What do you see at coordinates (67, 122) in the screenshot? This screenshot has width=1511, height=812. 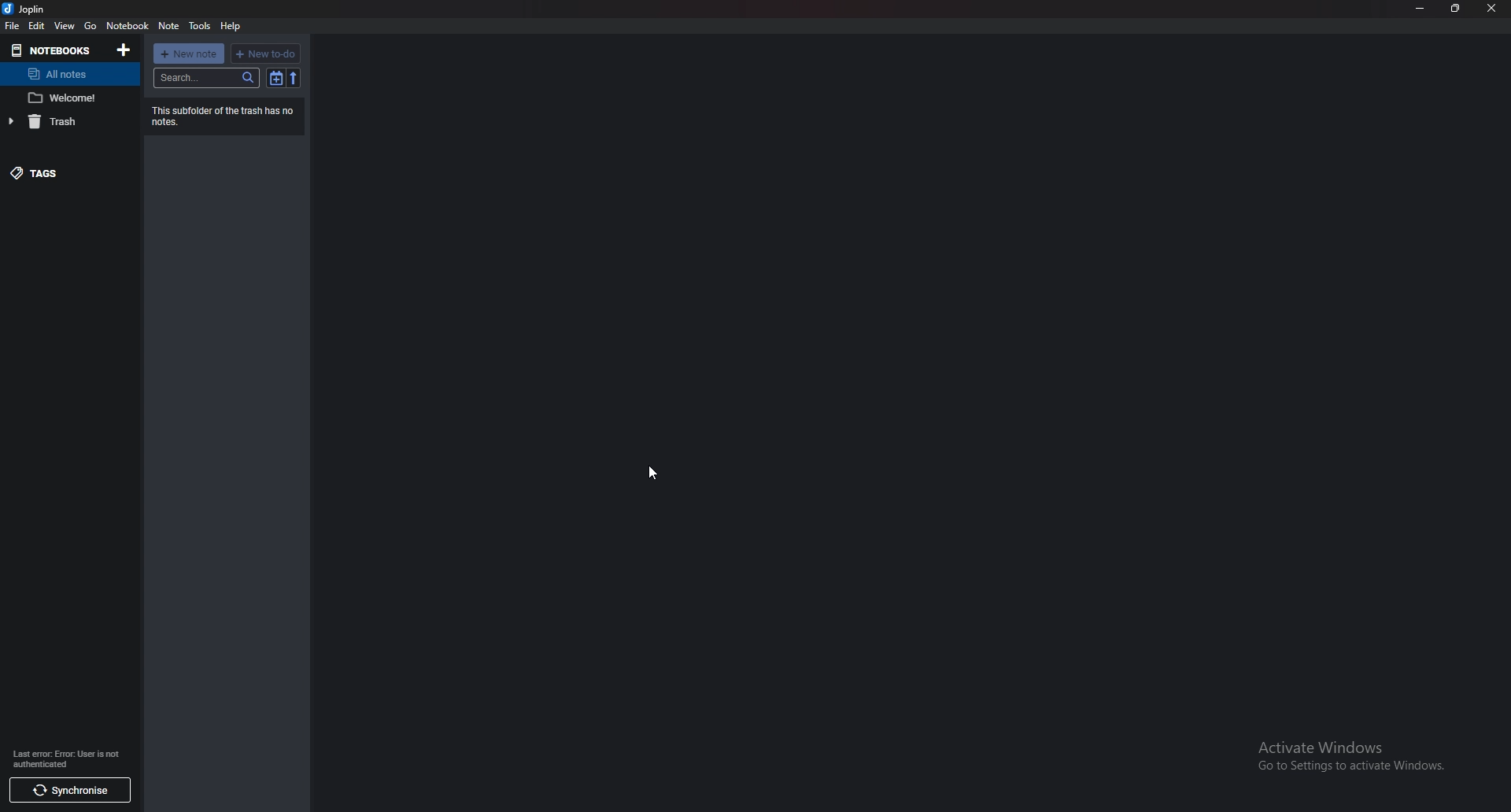 I see `trash` at bounding box center [67, 122].